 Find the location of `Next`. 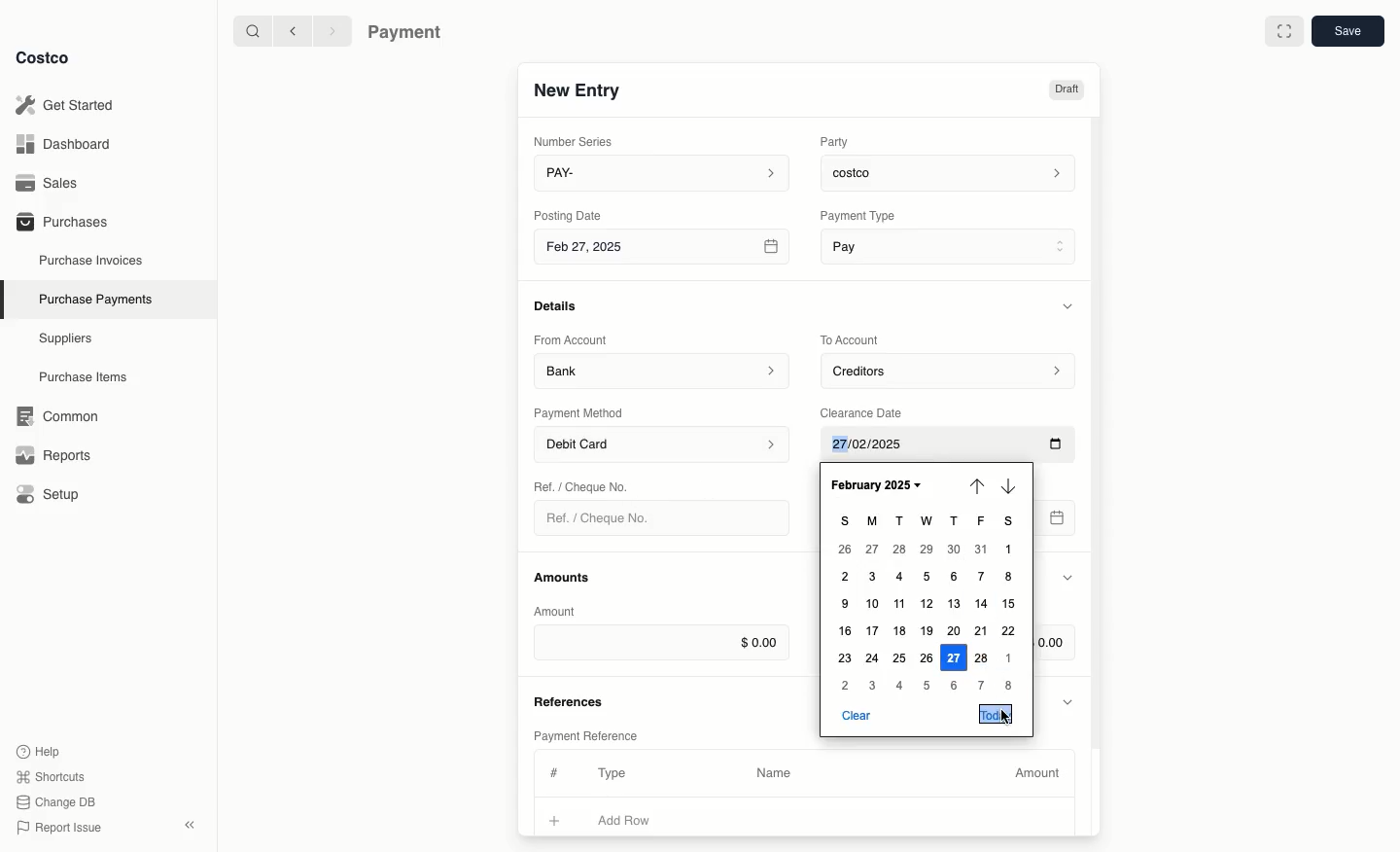

Next is located at coordinates (1012, 486).